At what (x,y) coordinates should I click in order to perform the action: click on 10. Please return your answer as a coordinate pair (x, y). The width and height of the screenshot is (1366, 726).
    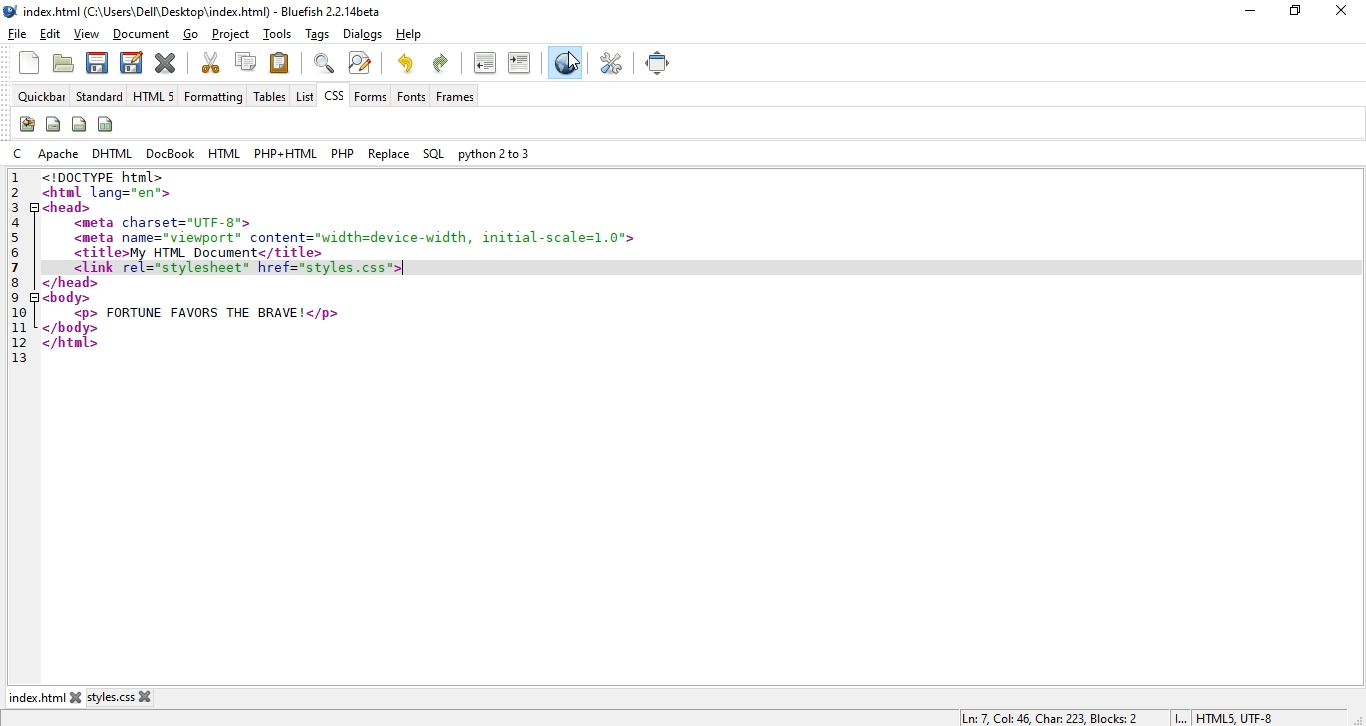
    Looking at the image, I should click on (22, 312).